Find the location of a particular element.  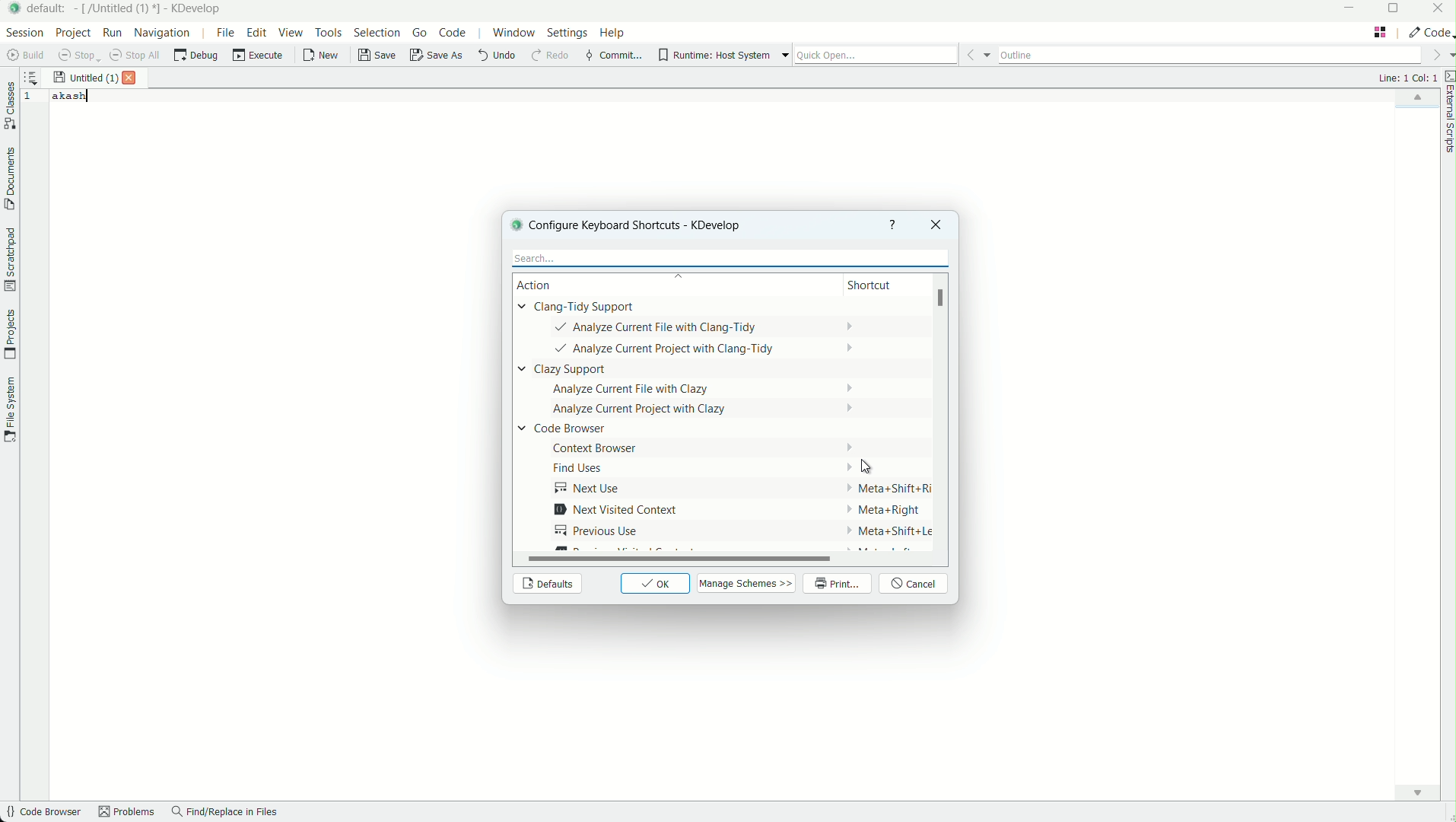

session menu is located at coordinates (23, 32).